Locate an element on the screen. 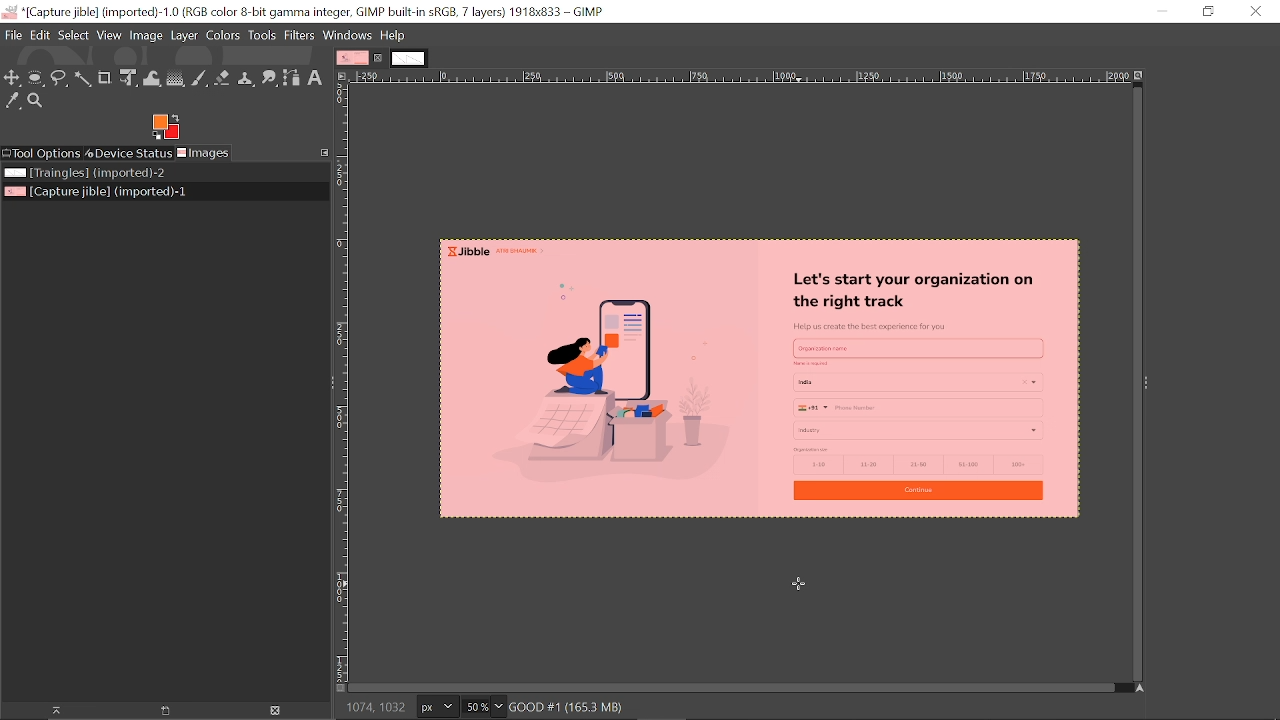  Zoom when window size changes is located at coordinates (1142, 77).